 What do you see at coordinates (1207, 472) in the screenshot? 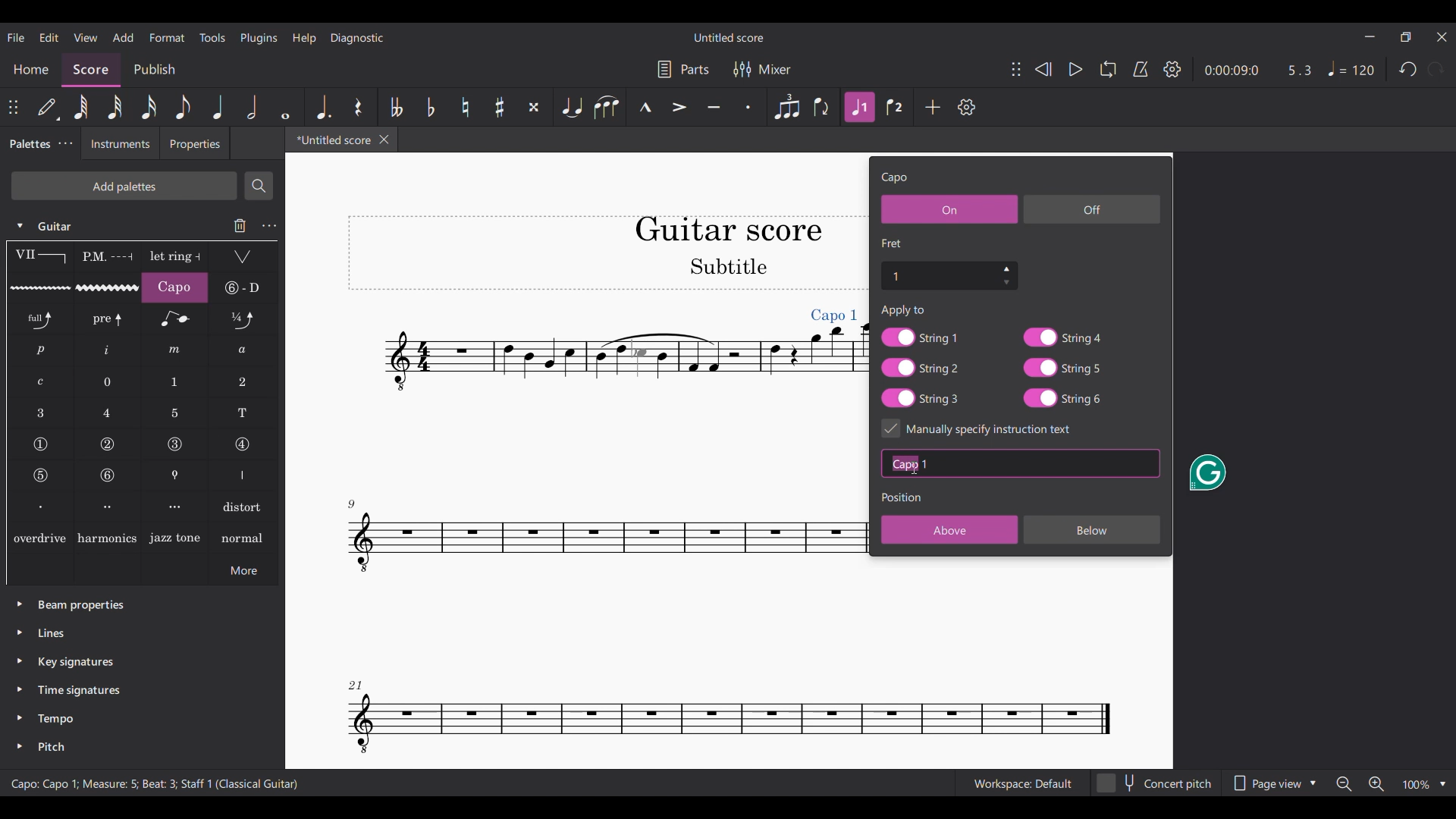
I see `Grammarly extension` at bounding box center [1207, 472].